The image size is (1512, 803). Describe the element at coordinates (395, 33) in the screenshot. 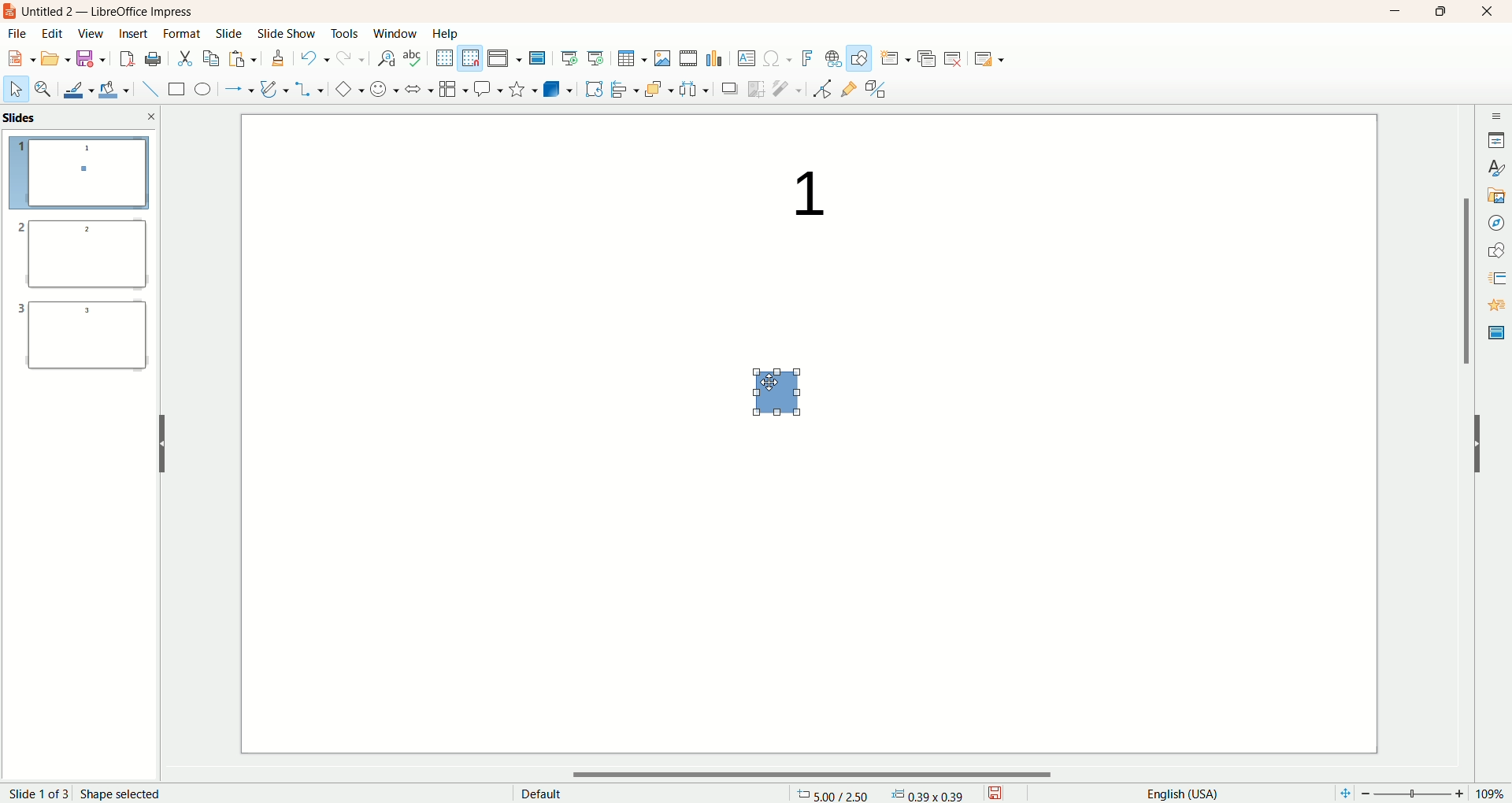

I see `window` at that location.